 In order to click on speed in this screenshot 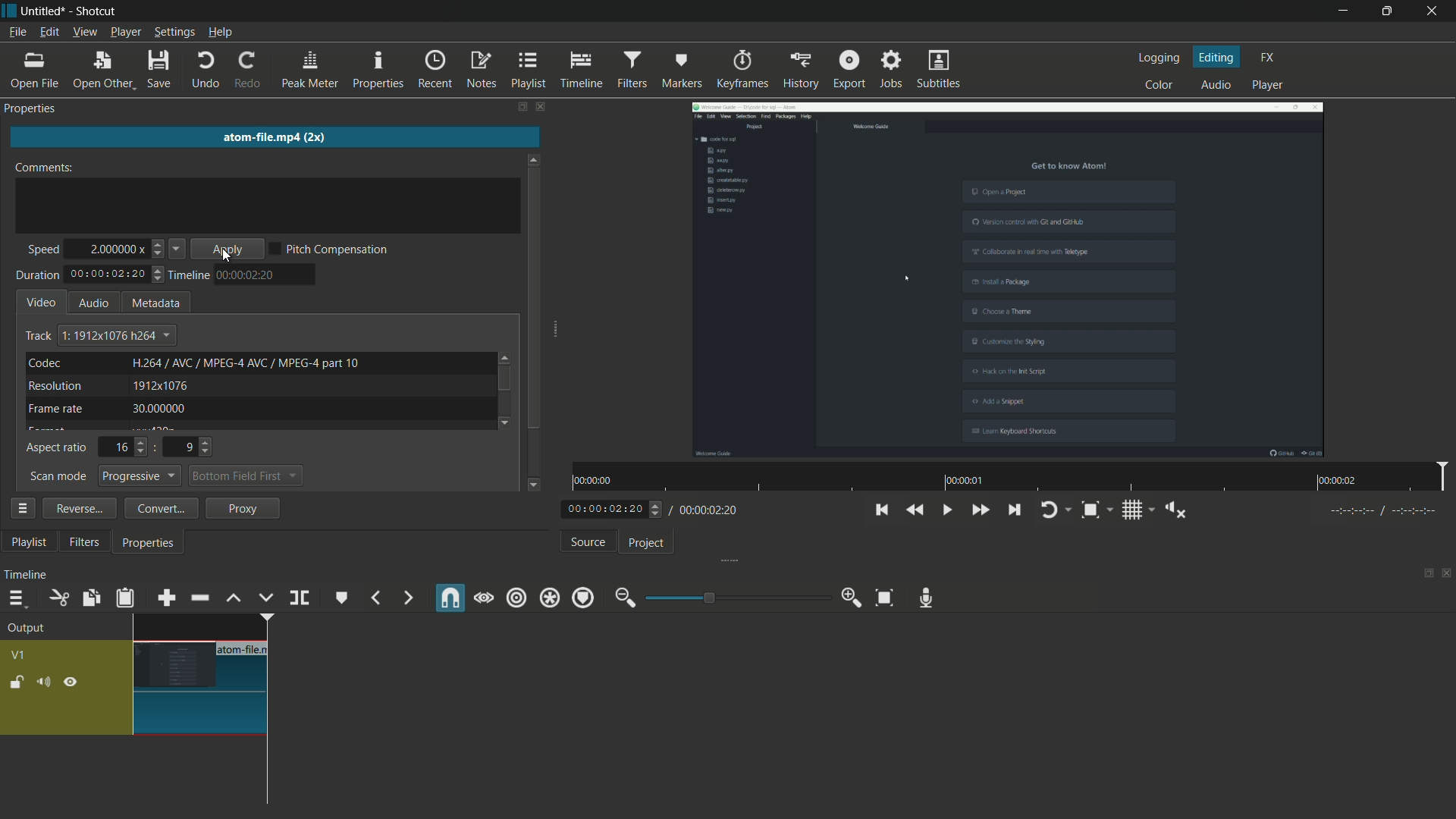, I will do `click(42, 251)`.